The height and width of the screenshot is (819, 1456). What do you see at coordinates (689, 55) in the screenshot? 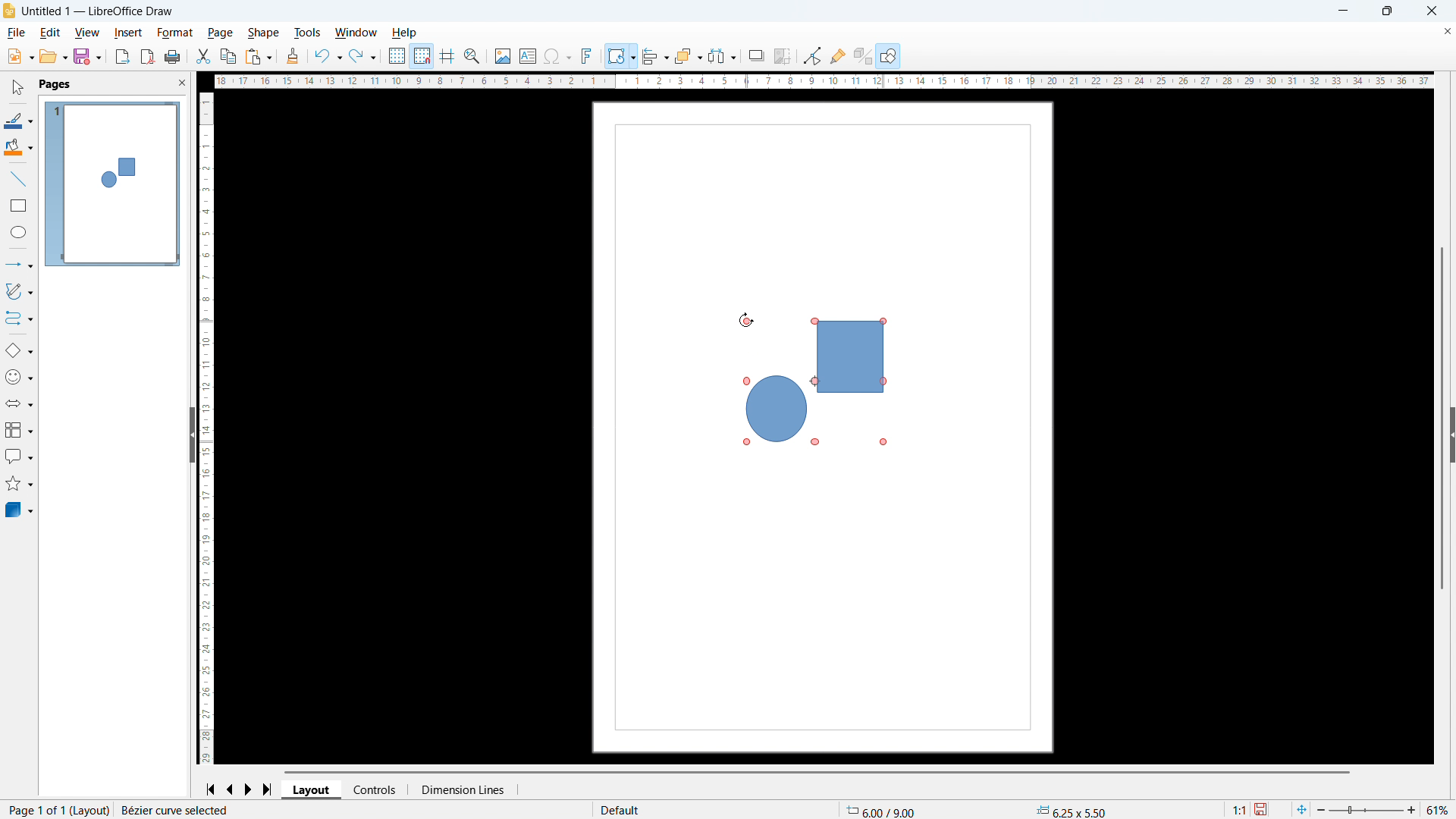
I see `Arrange ` at bounding box center [689, 55].